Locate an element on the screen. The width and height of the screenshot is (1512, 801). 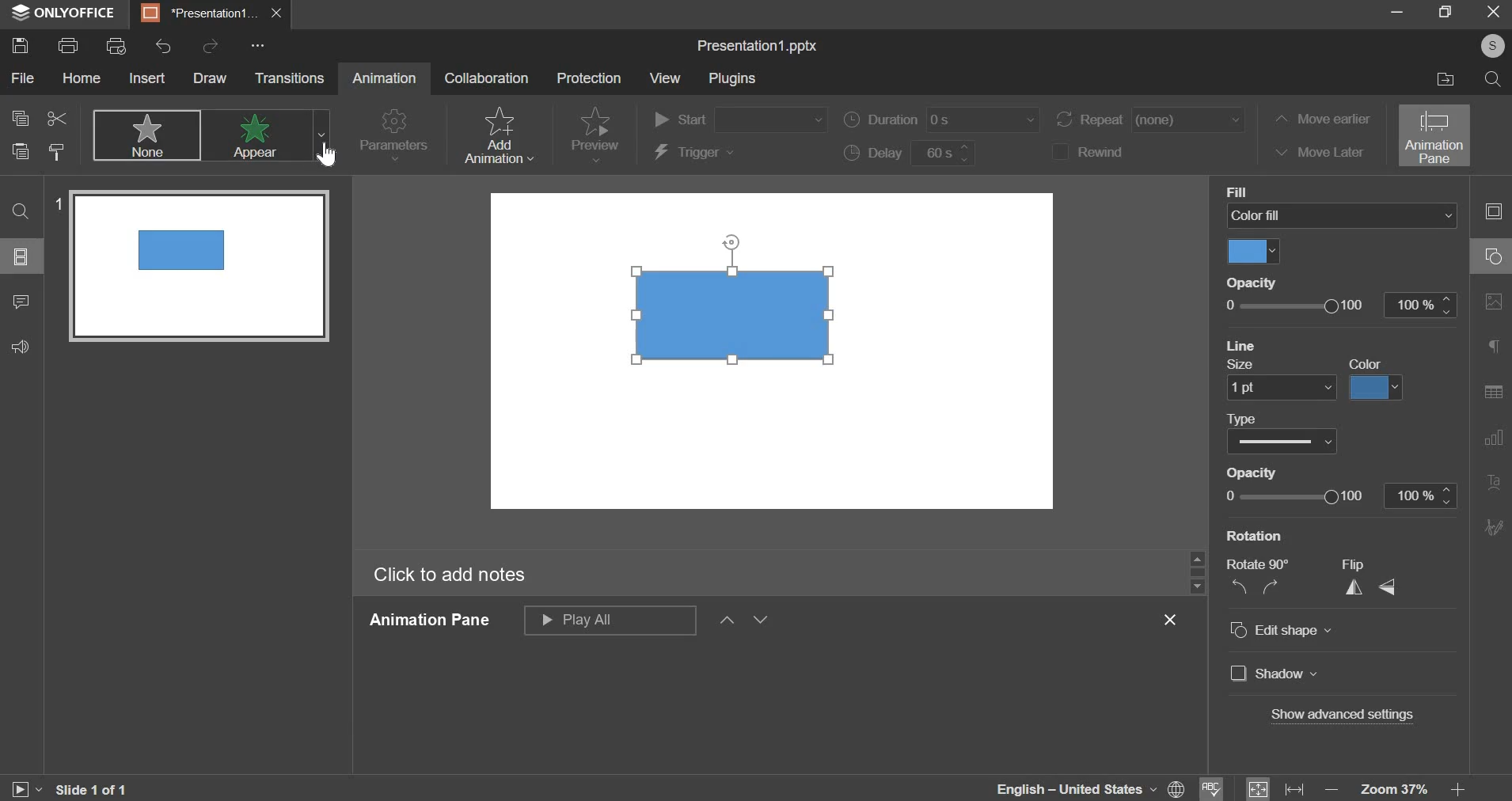
Opacity is located at coordinates (1261, 469).